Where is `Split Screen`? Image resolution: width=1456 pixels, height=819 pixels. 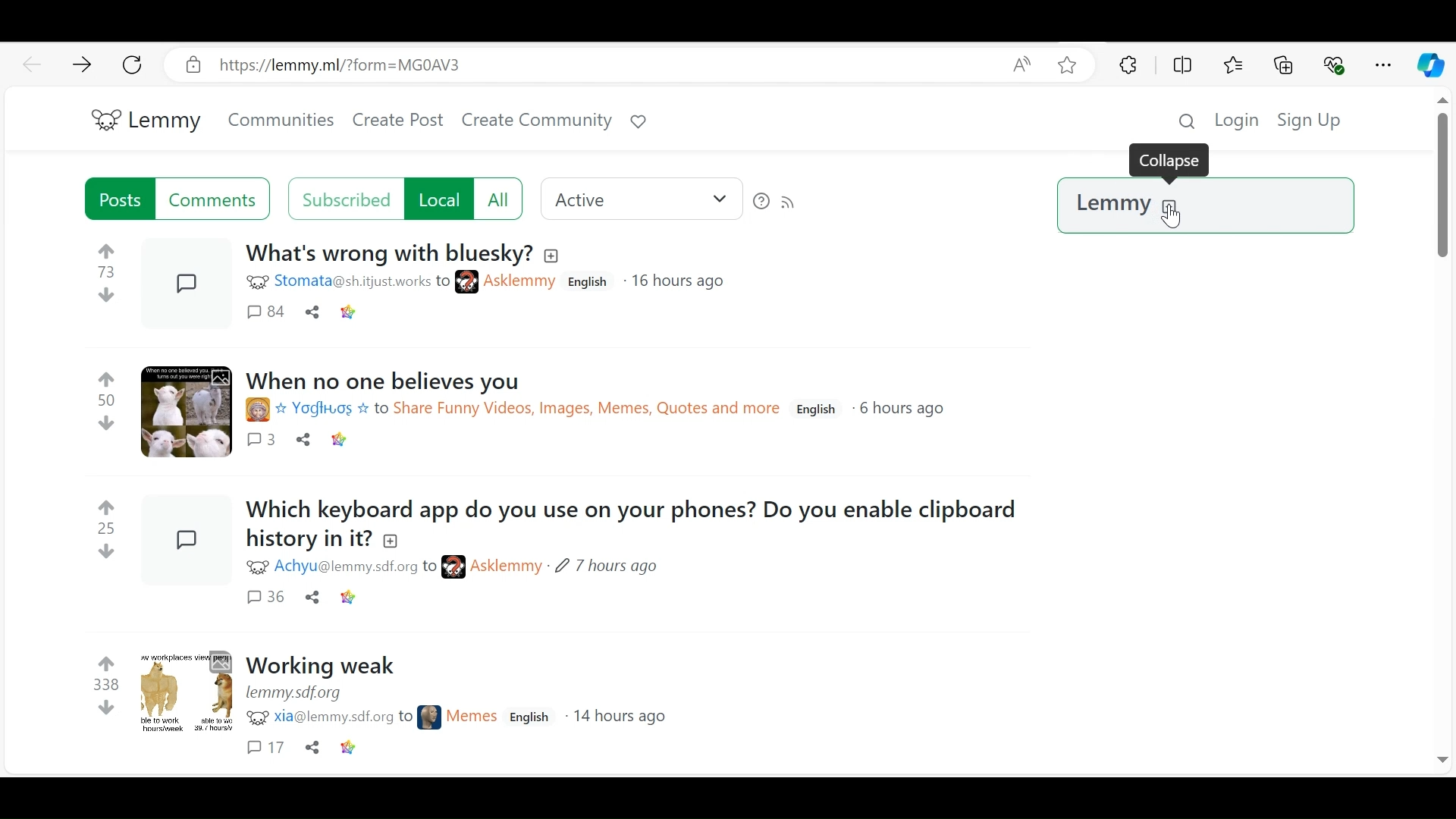
Split Screen is located at coordinates (1185, 64).